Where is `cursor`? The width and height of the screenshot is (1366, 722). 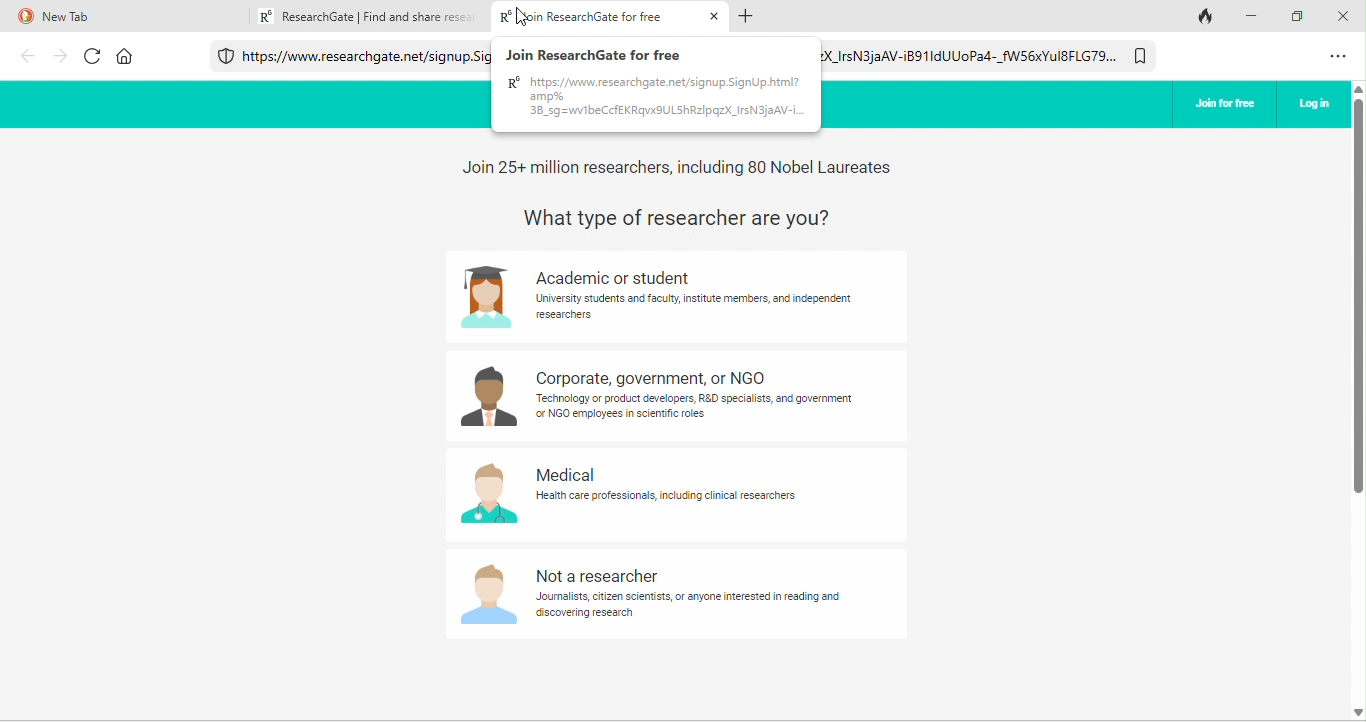
cursor is located at coordinates (530, 19).